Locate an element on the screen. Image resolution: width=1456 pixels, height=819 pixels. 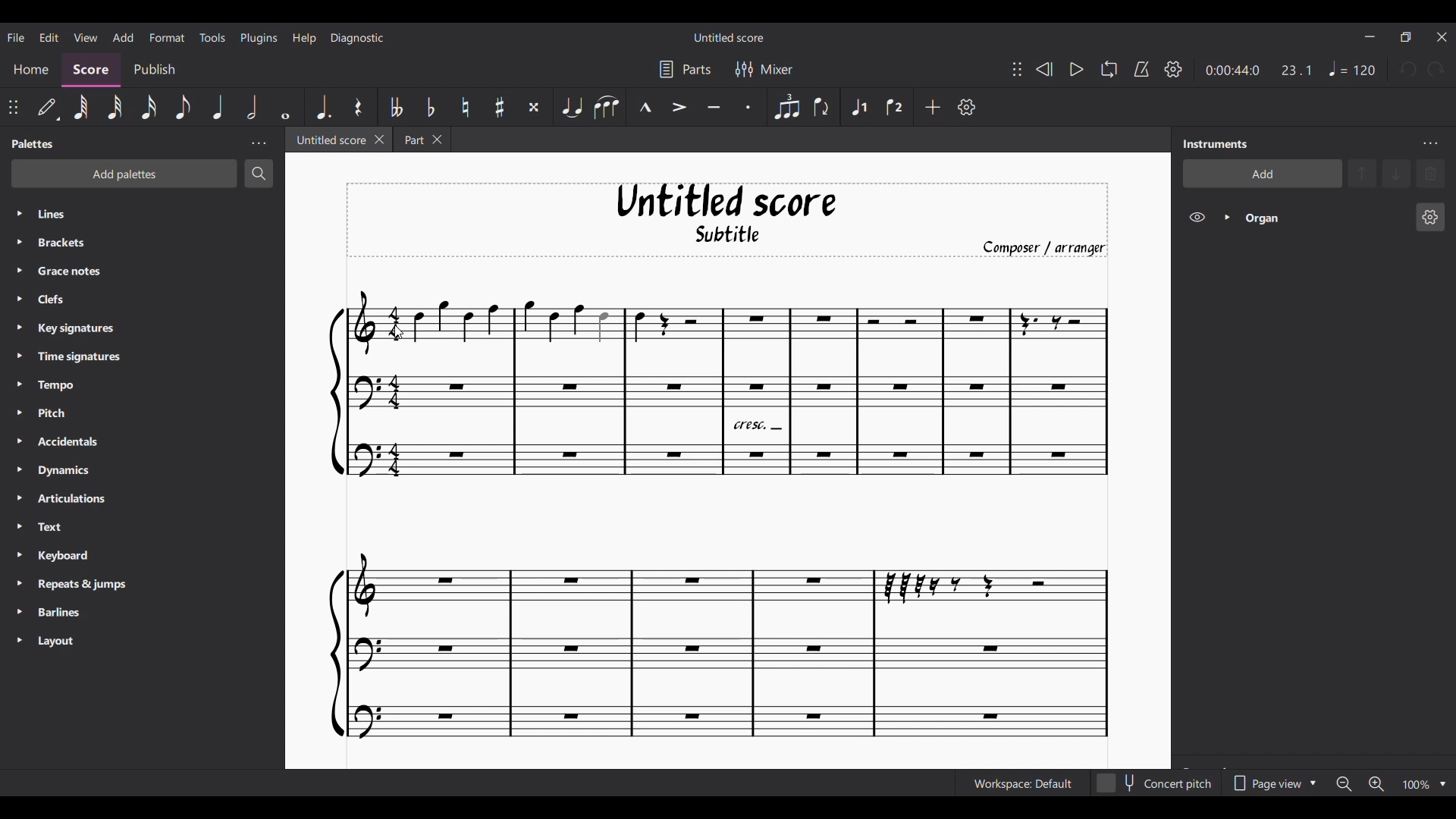
Show interface in a smaller tab is located at coordinates (1406, 37).